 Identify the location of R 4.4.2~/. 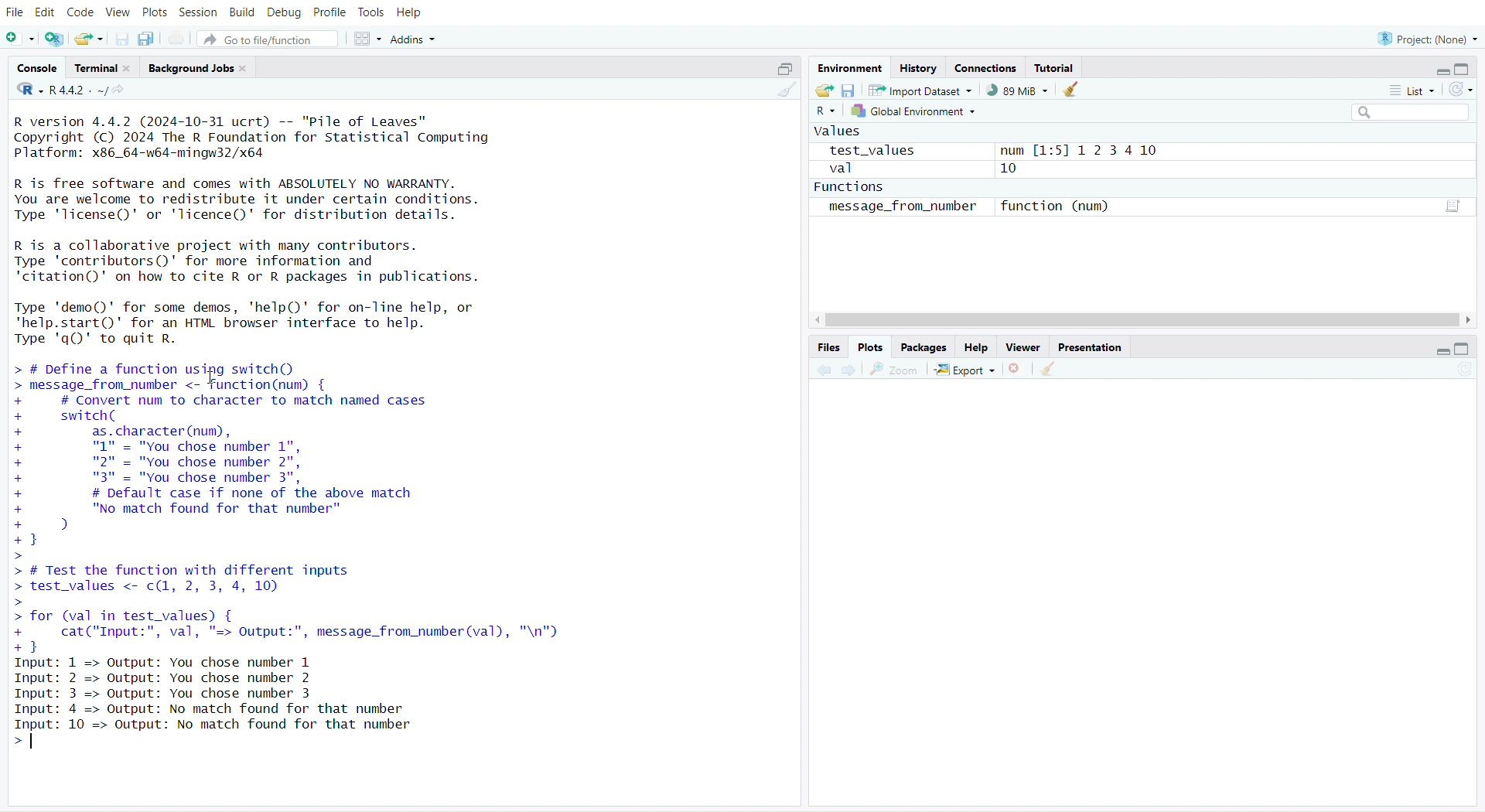
(77, 92).